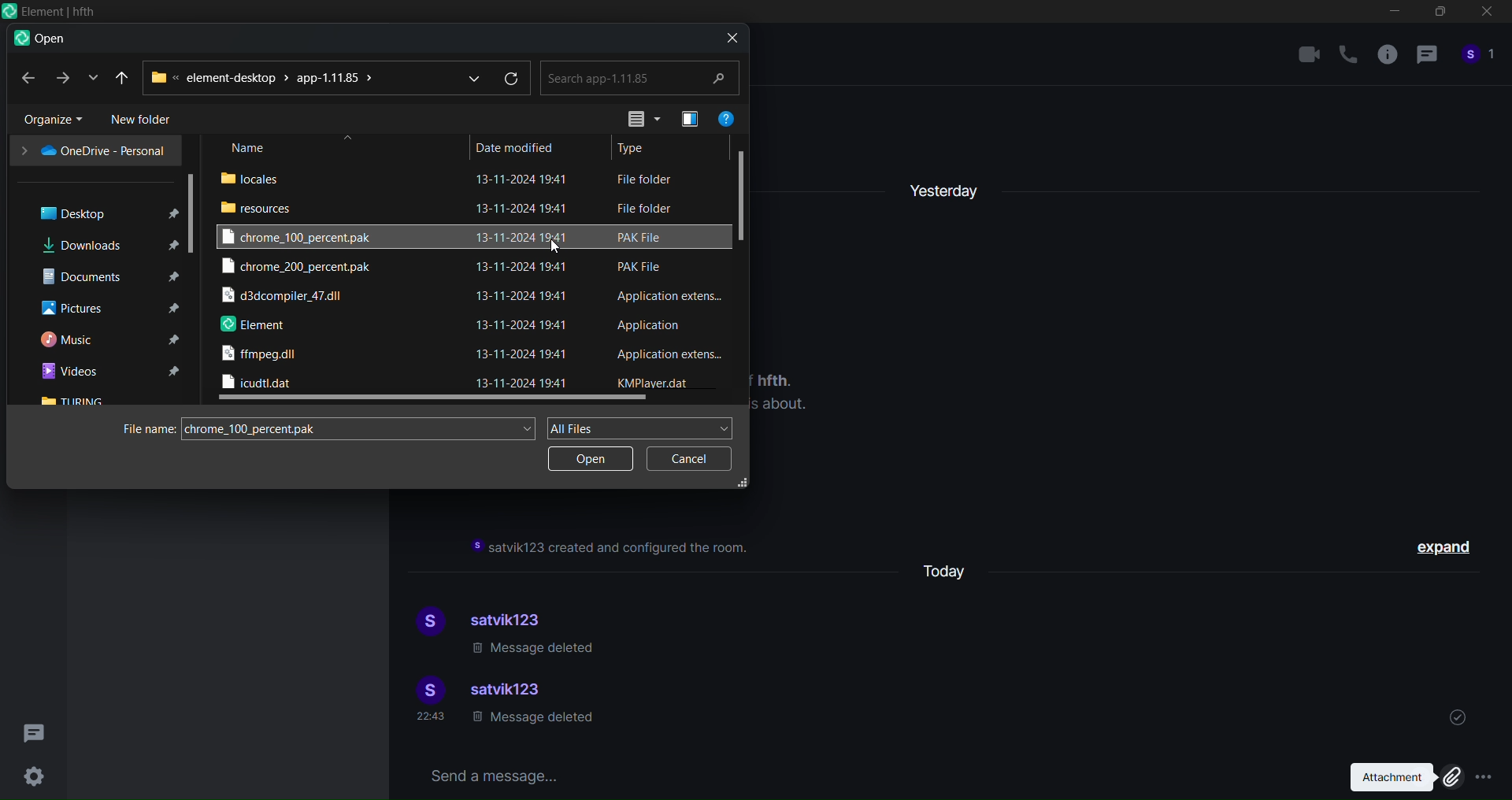 The height and width of the screenshot is (800, 1512). Describe the element at coordinates (1447, 550) in the screenshot. I see `expand` at that location.